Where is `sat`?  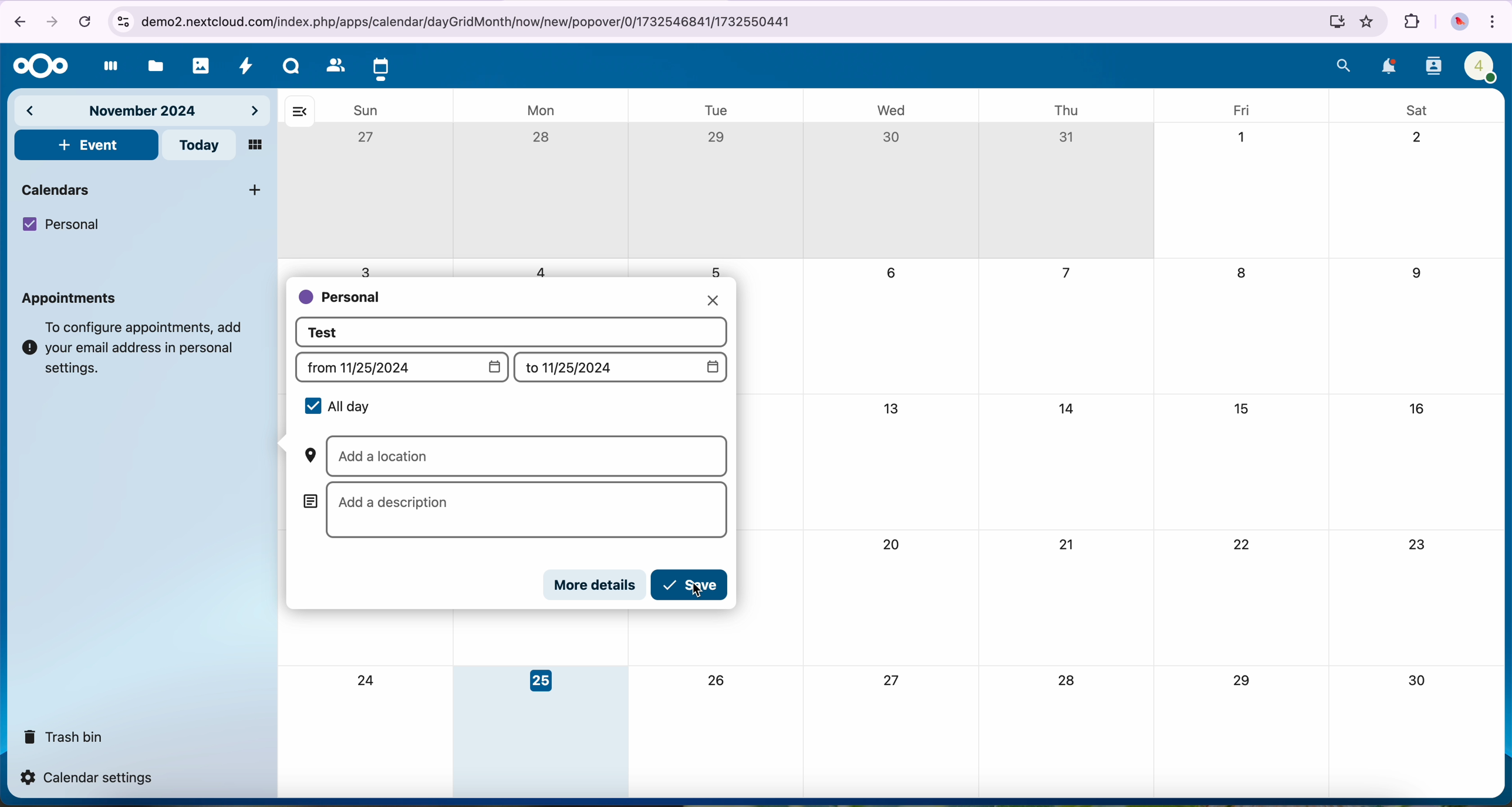
sat is located at coordinates (1421, 110).